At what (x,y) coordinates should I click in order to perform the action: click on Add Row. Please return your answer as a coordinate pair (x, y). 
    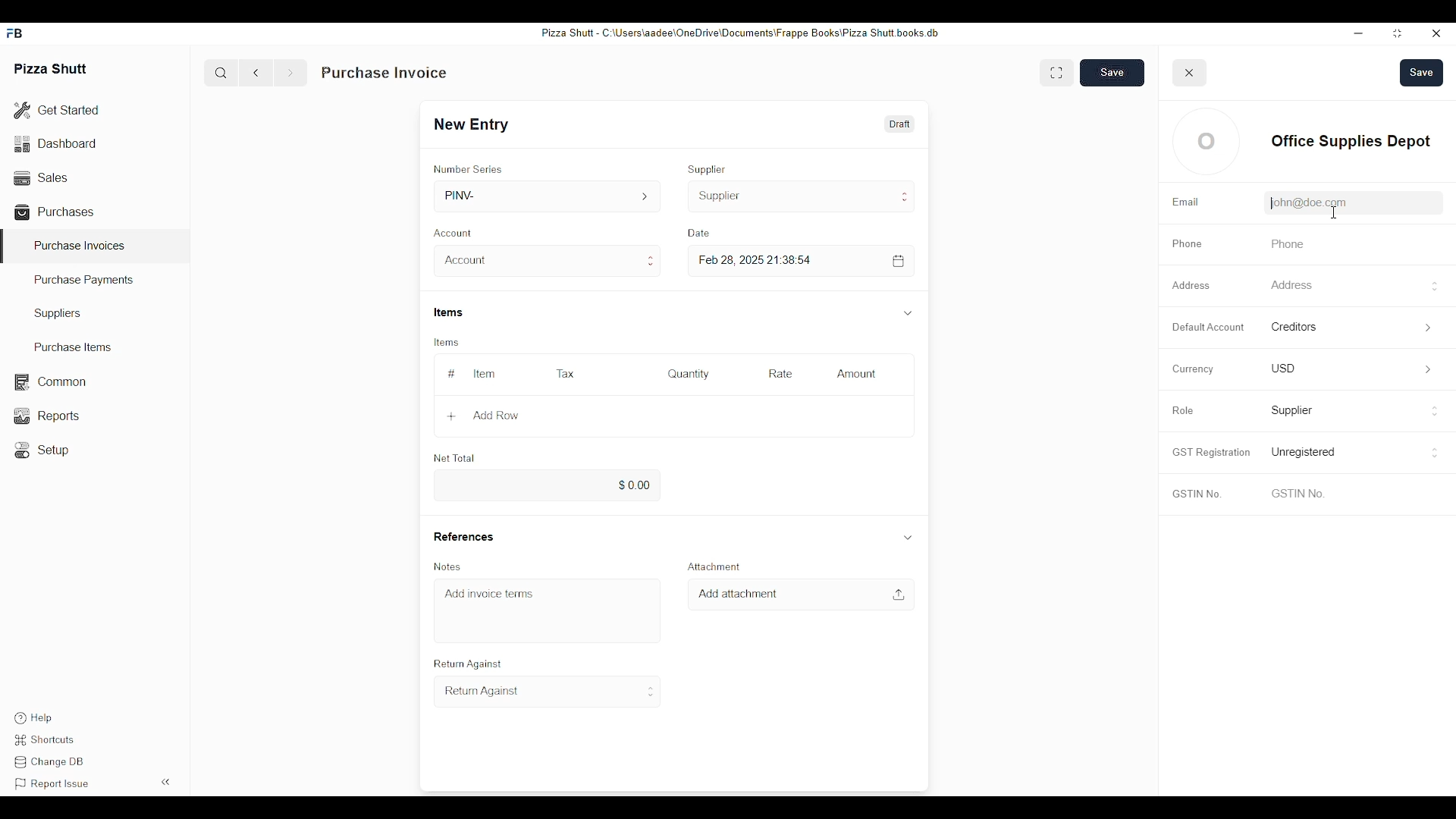
    Looking at the image, I should click on (483, 416).